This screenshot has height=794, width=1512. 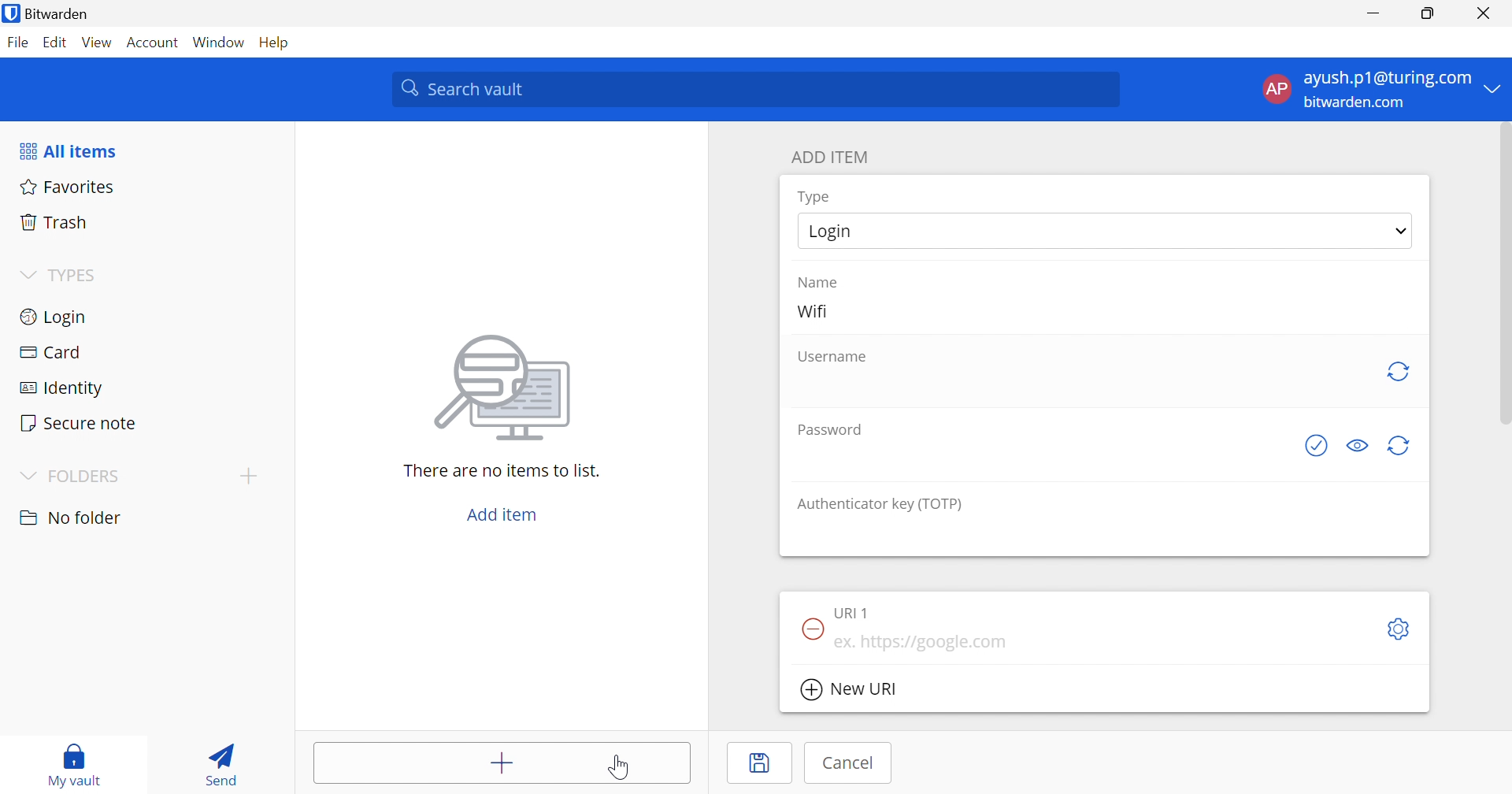 I want to click on Minimize, so click(x=1373, y=14).